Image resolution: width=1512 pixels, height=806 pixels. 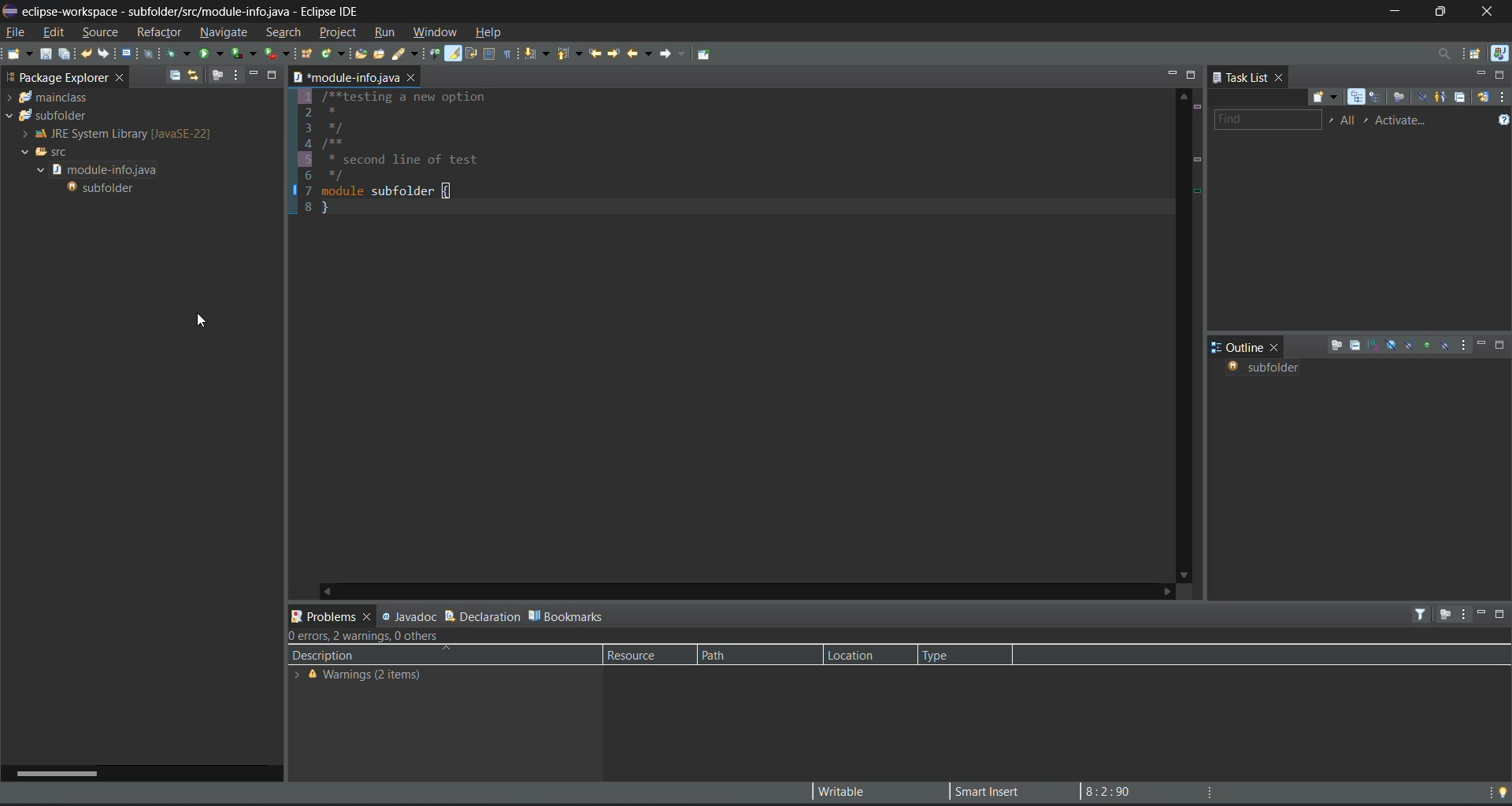 I want to click on JRE System library [javaSE-22], so click(x=102, y=134).